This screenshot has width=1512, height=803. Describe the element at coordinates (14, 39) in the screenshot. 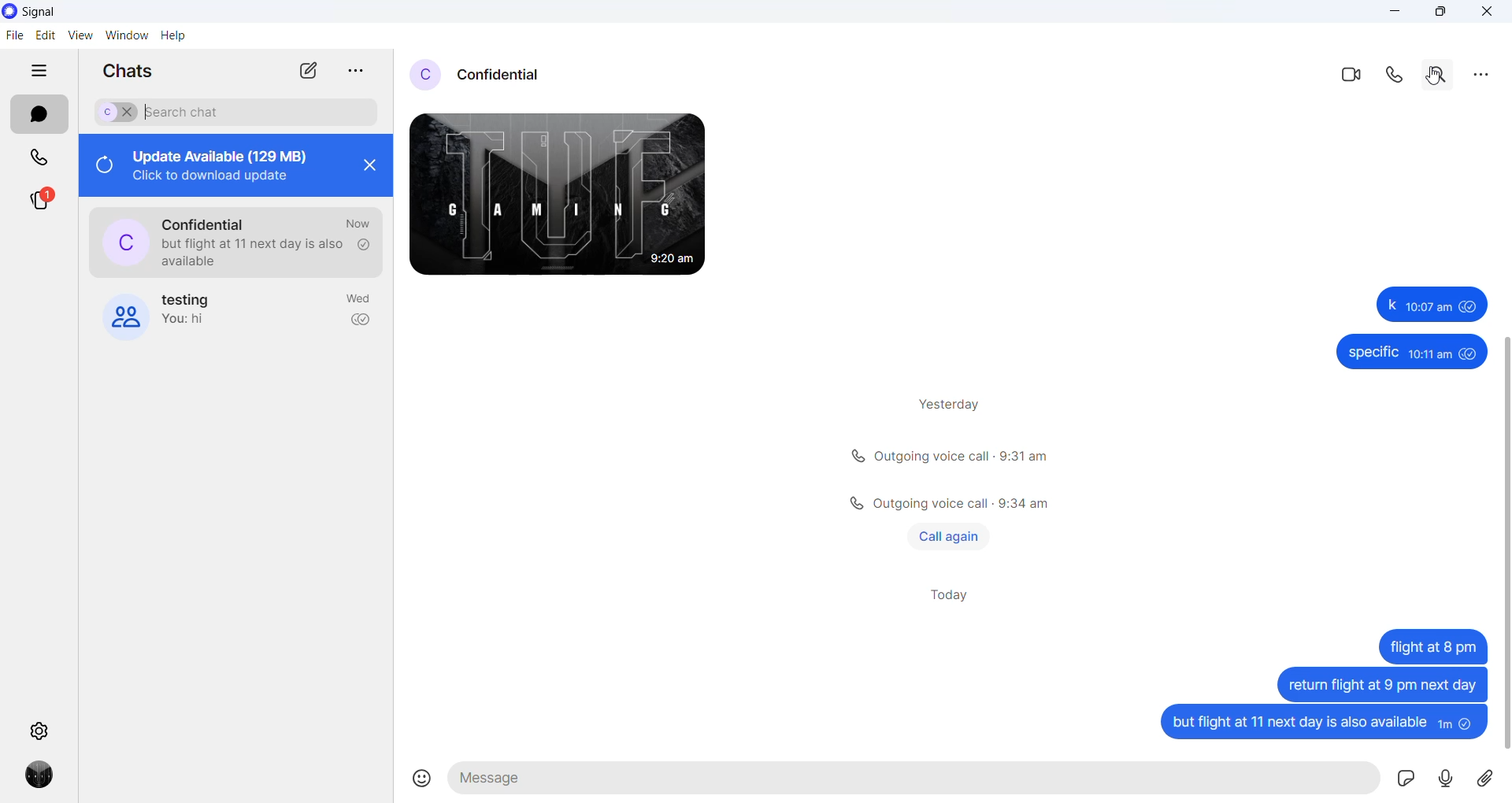

I see `file` at that location.